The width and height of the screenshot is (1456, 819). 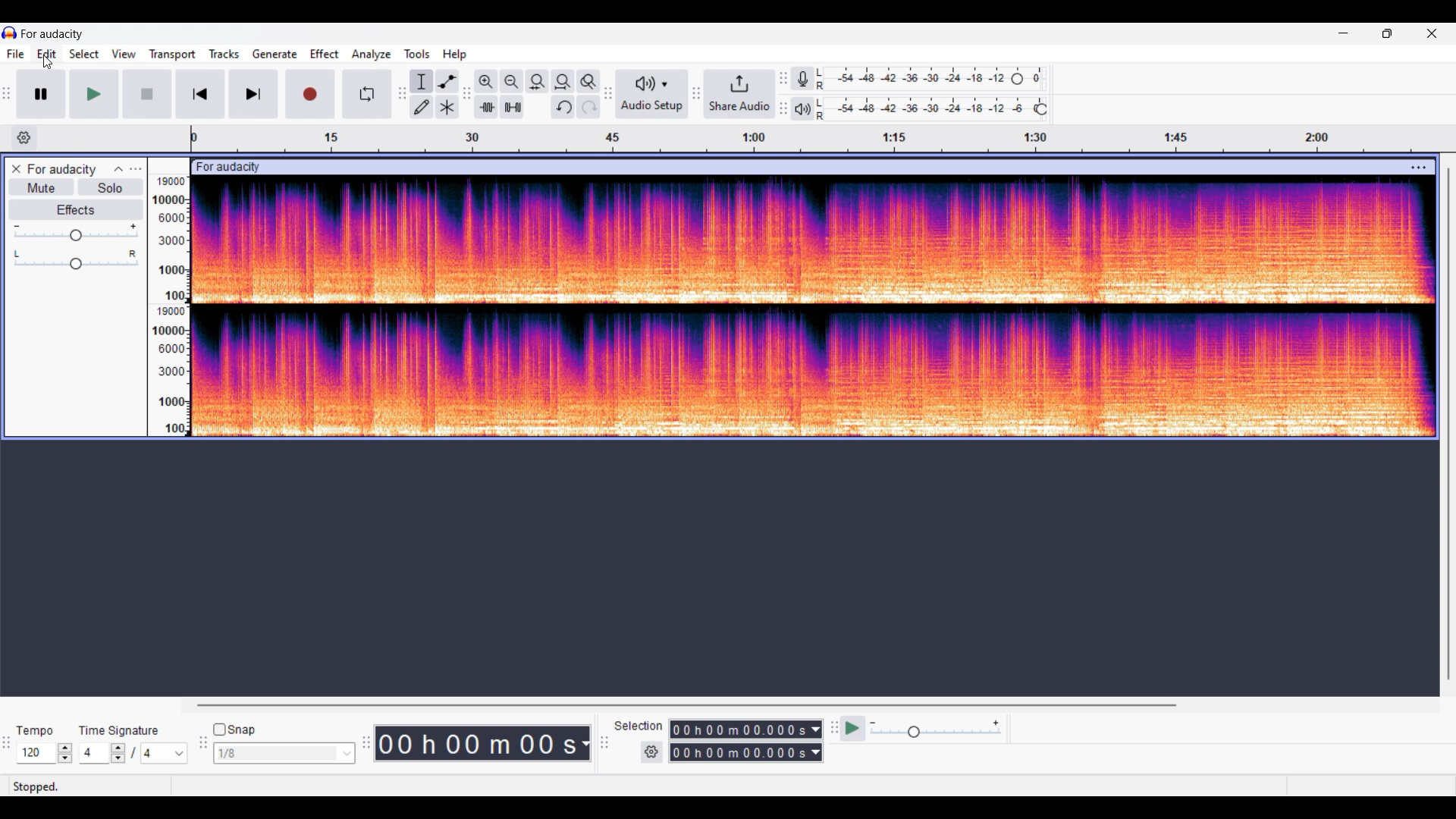 I want to click on Generate menu, so click(x=275, y=54).